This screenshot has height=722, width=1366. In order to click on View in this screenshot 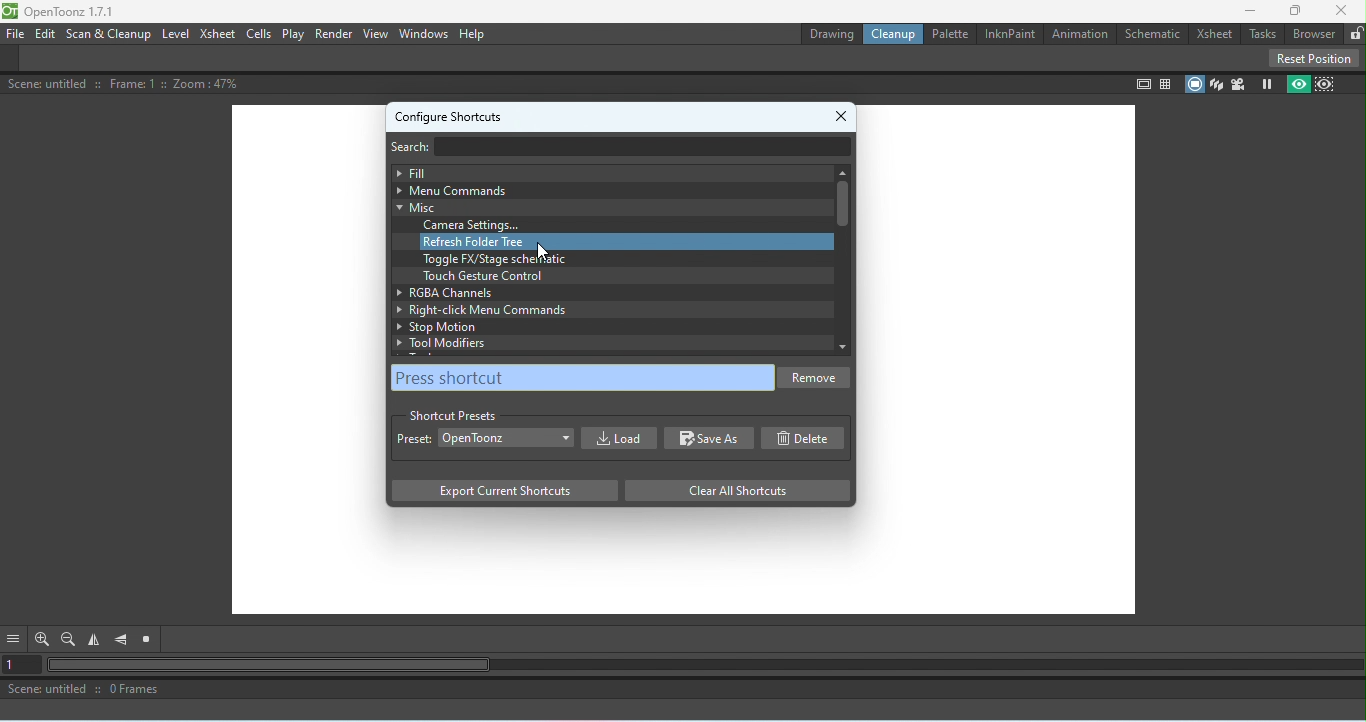, I will do `click(374, 35)`.